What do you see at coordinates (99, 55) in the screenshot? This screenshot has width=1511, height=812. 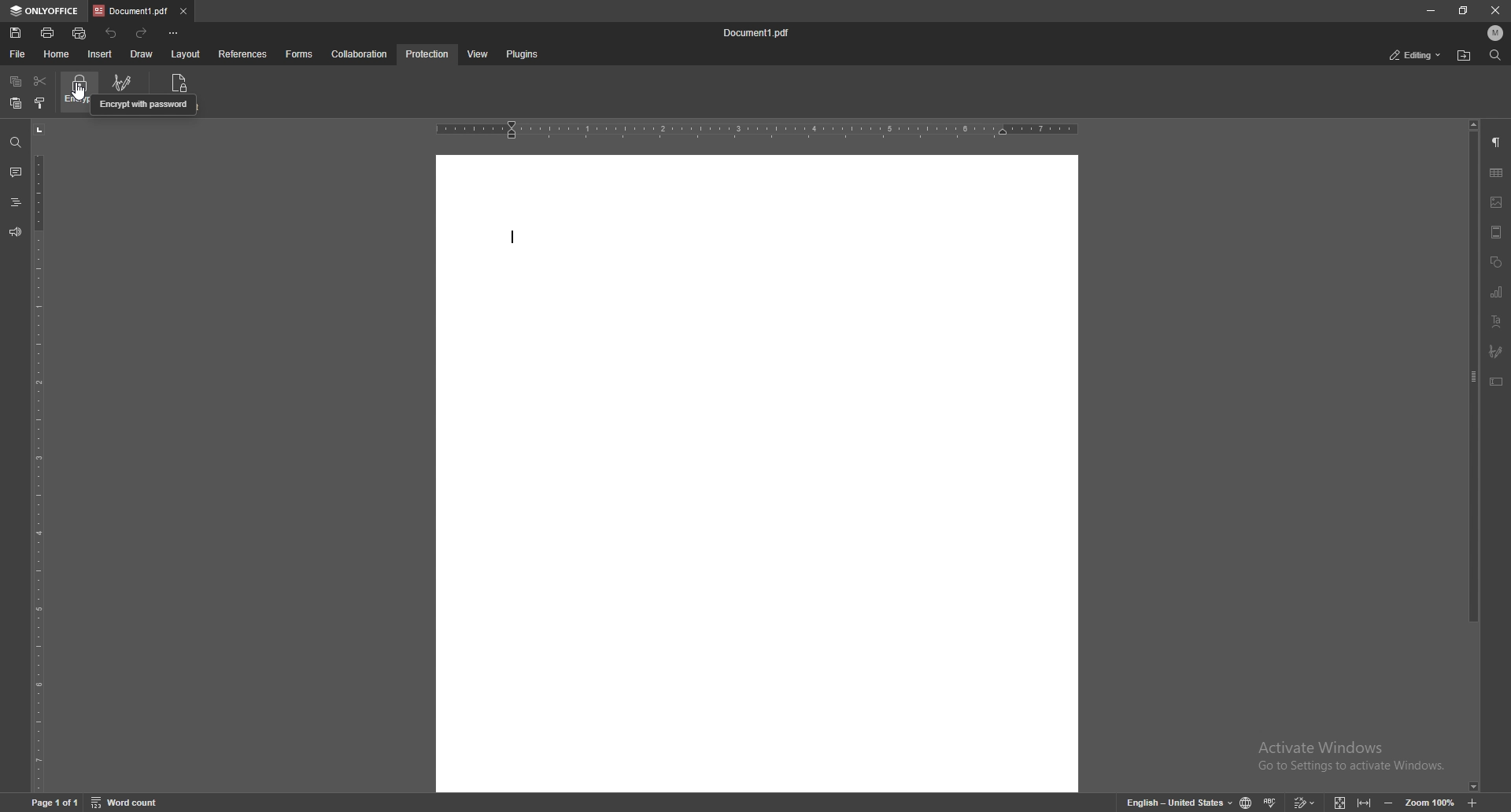 I see `insert` at bounding box center [99, 55].